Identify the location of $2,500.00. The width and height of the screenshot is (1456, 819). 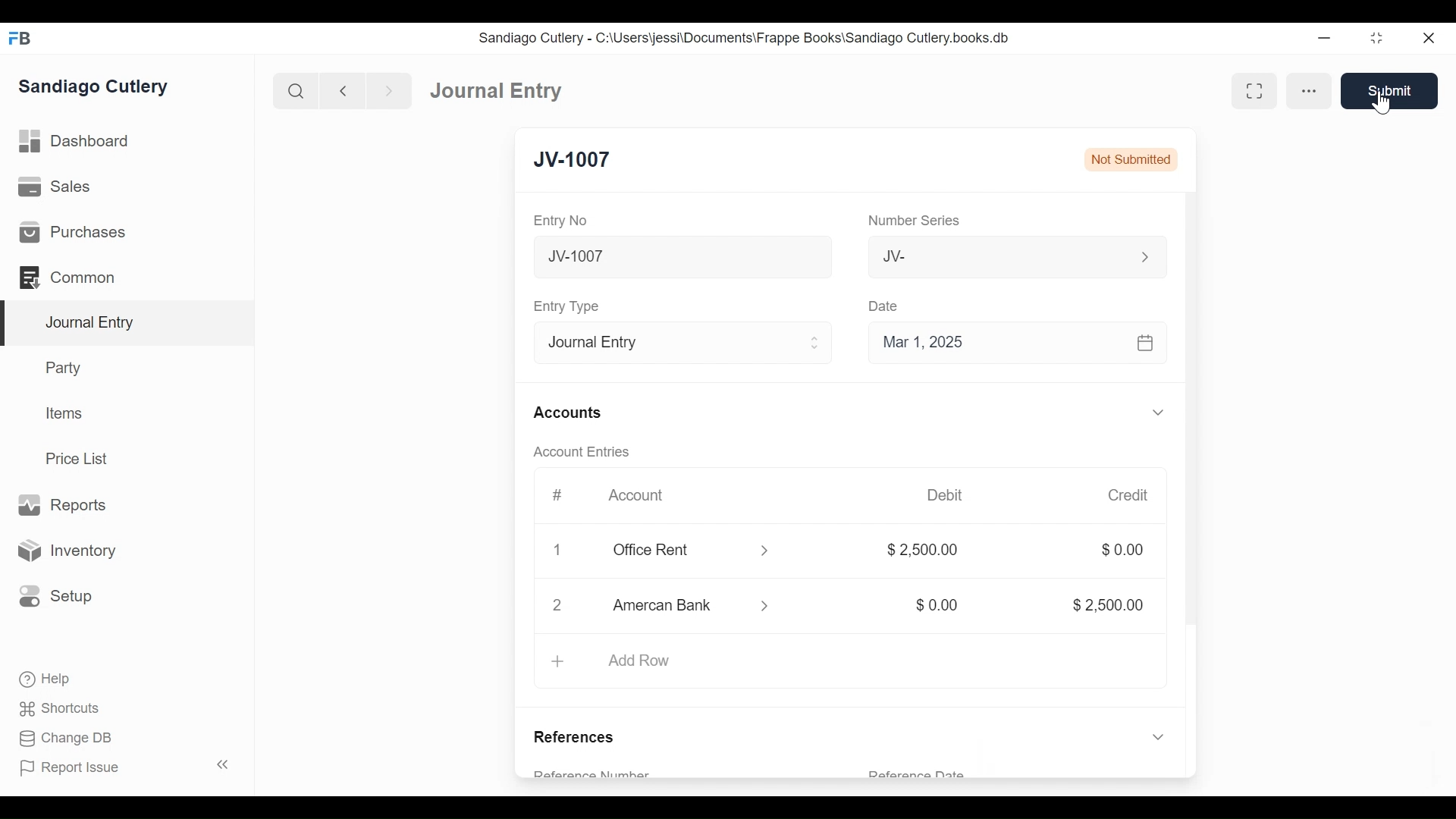
(1099, 604).